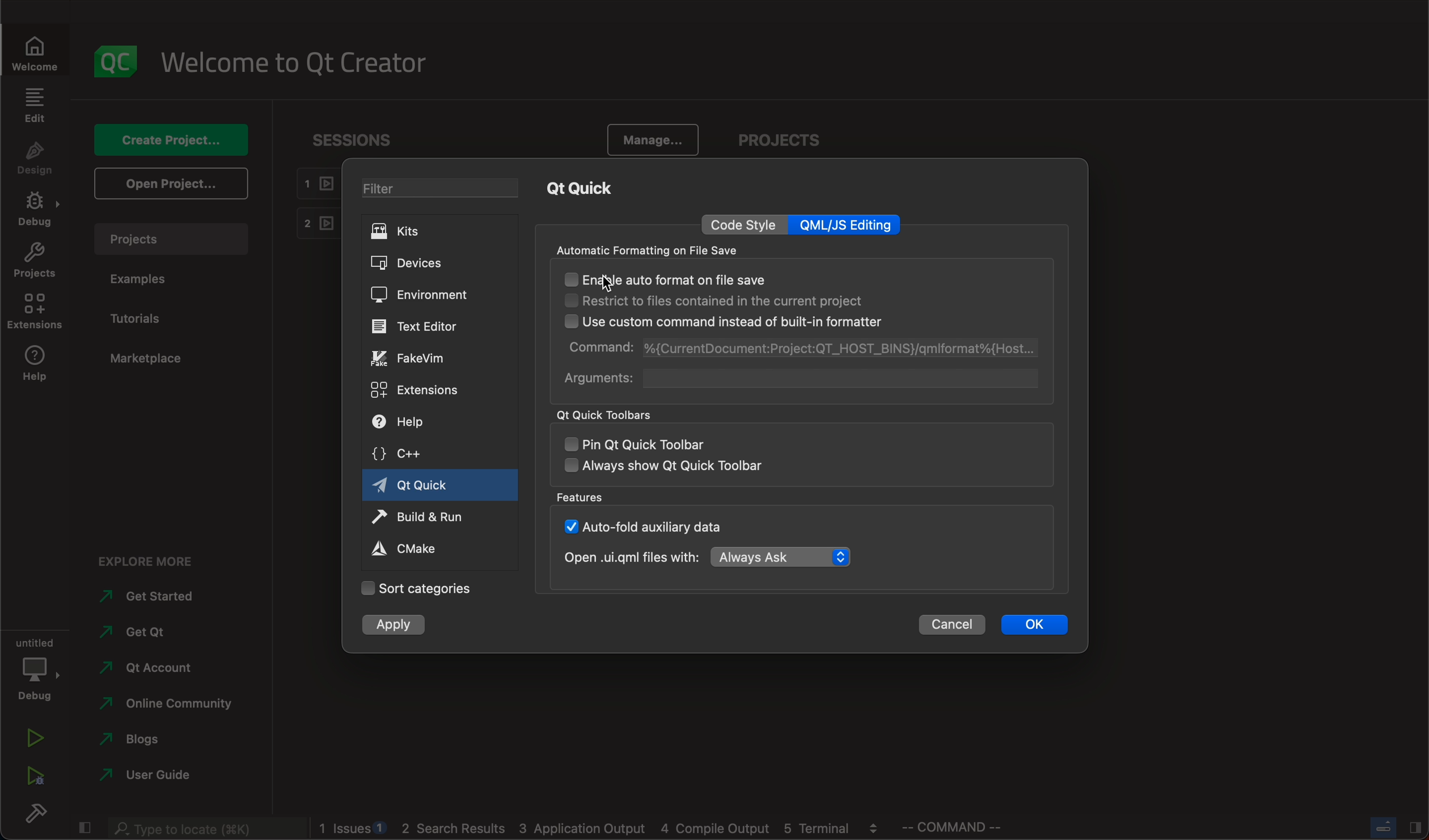 This screenshot has width=1429, height=840. What do you see at coordinates (36, 56) in the screenshot?
I see `WELCOME` at bounding box center [36, 56].